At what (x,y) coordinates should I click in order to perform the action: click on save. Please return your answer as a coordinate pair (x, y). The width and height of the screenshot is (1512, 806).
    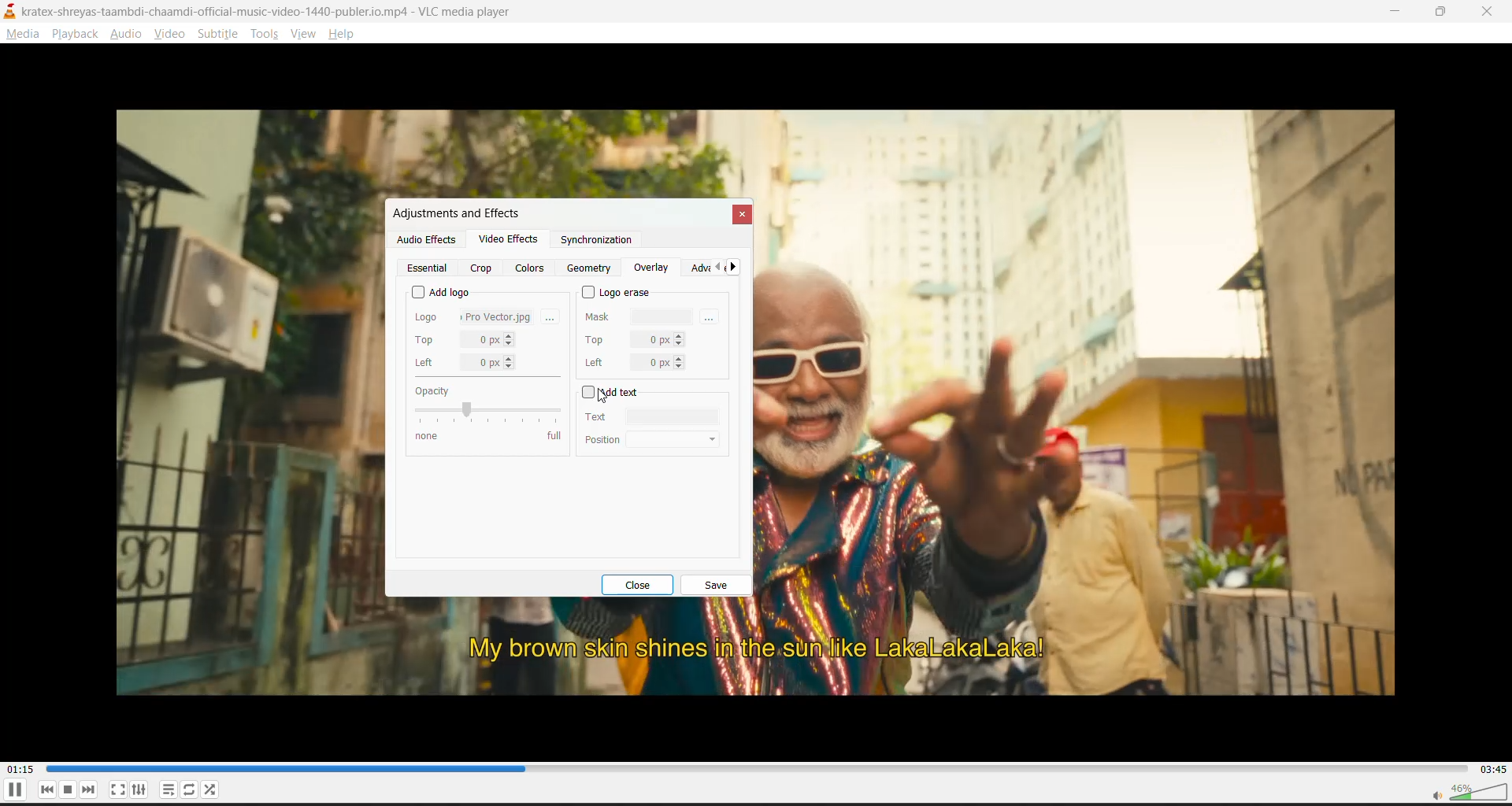
    Looking at the image, I should click on (716, 586).